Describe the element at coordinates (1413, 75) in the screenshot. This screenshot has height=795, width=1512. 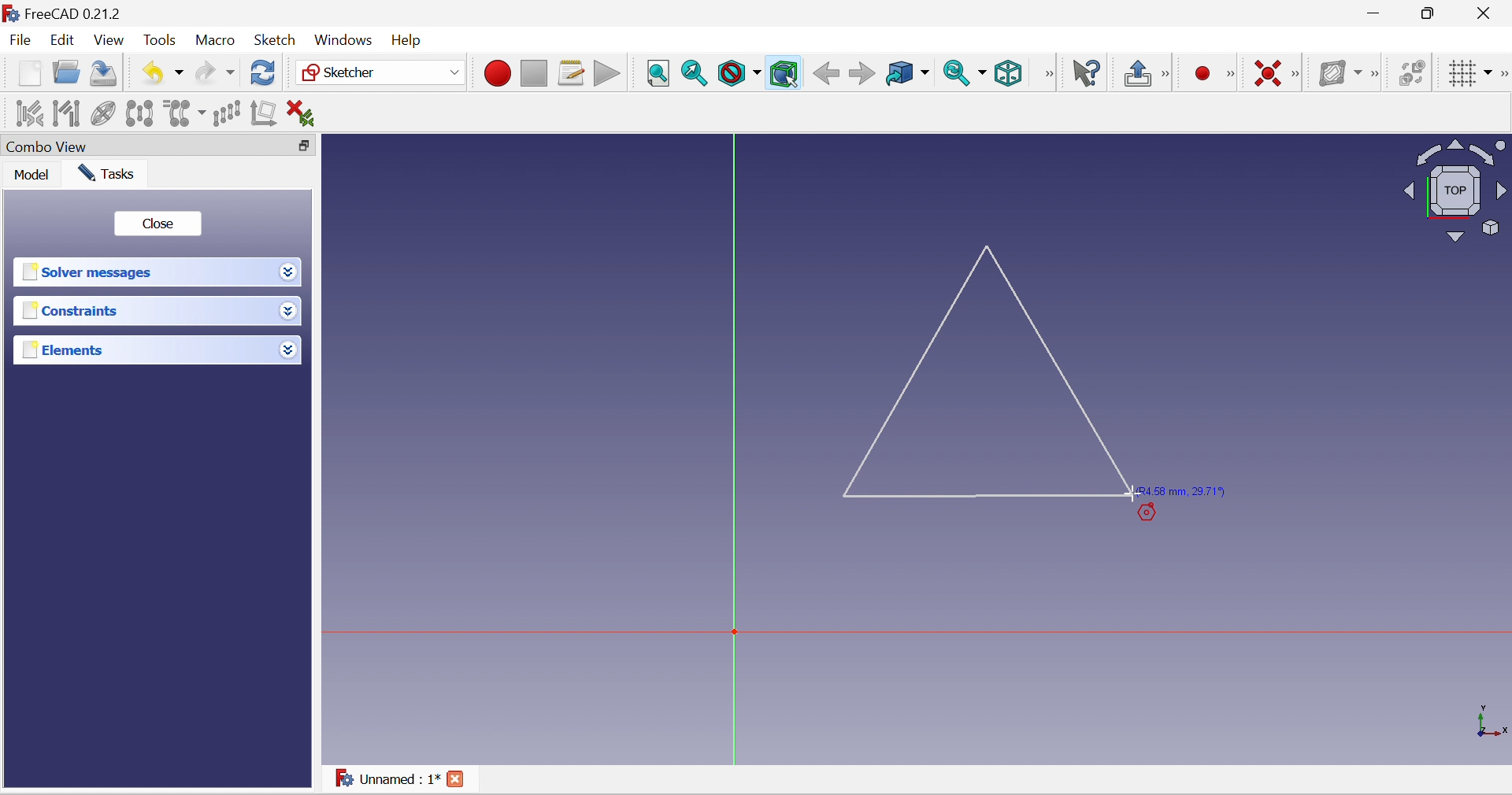
I see `Switch virtual space` at that location.